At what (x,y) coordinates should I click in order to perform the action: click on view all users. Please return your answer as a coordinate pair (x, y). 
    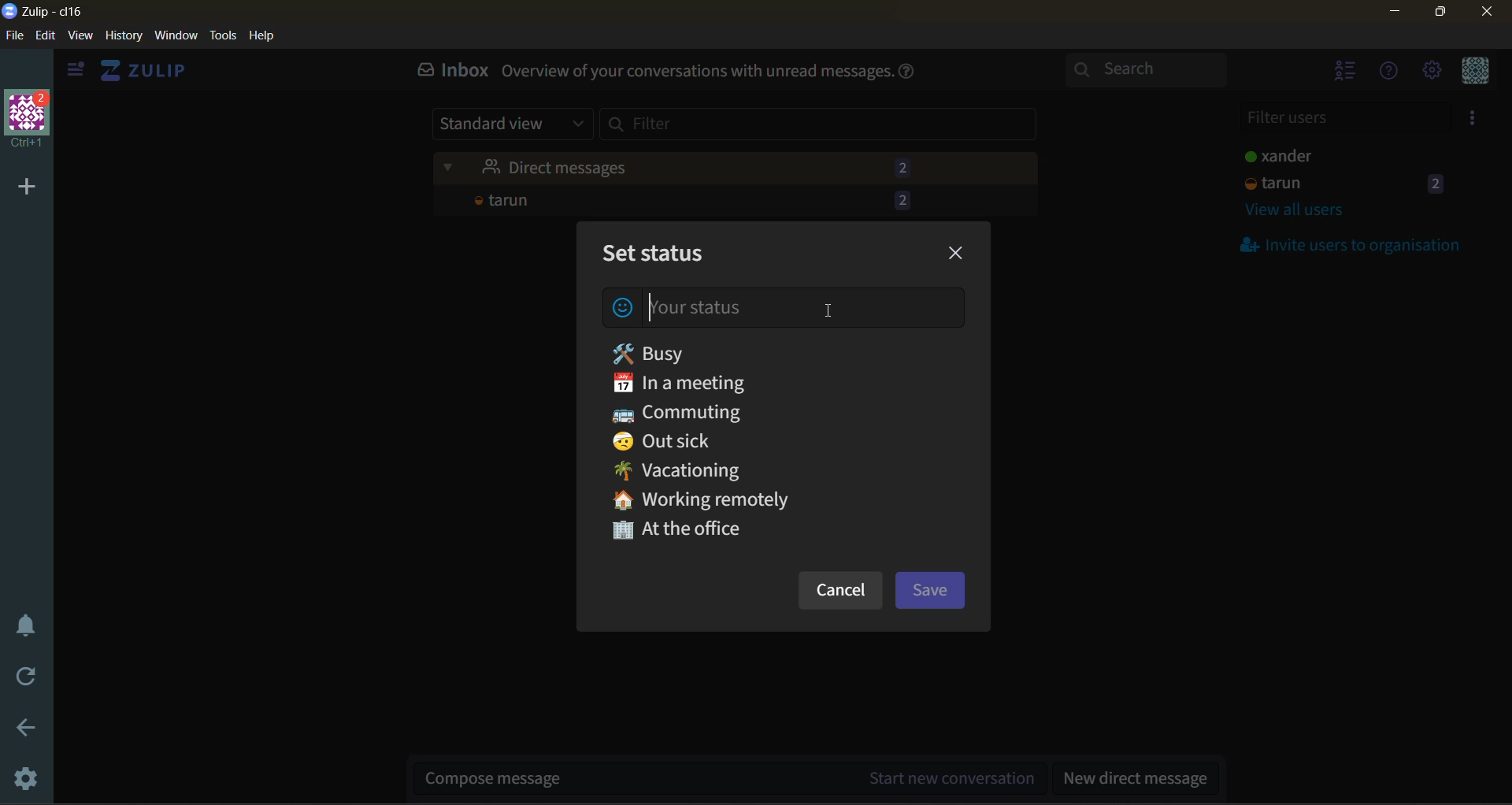
    Looking at the image, I should click on (1308, 214).